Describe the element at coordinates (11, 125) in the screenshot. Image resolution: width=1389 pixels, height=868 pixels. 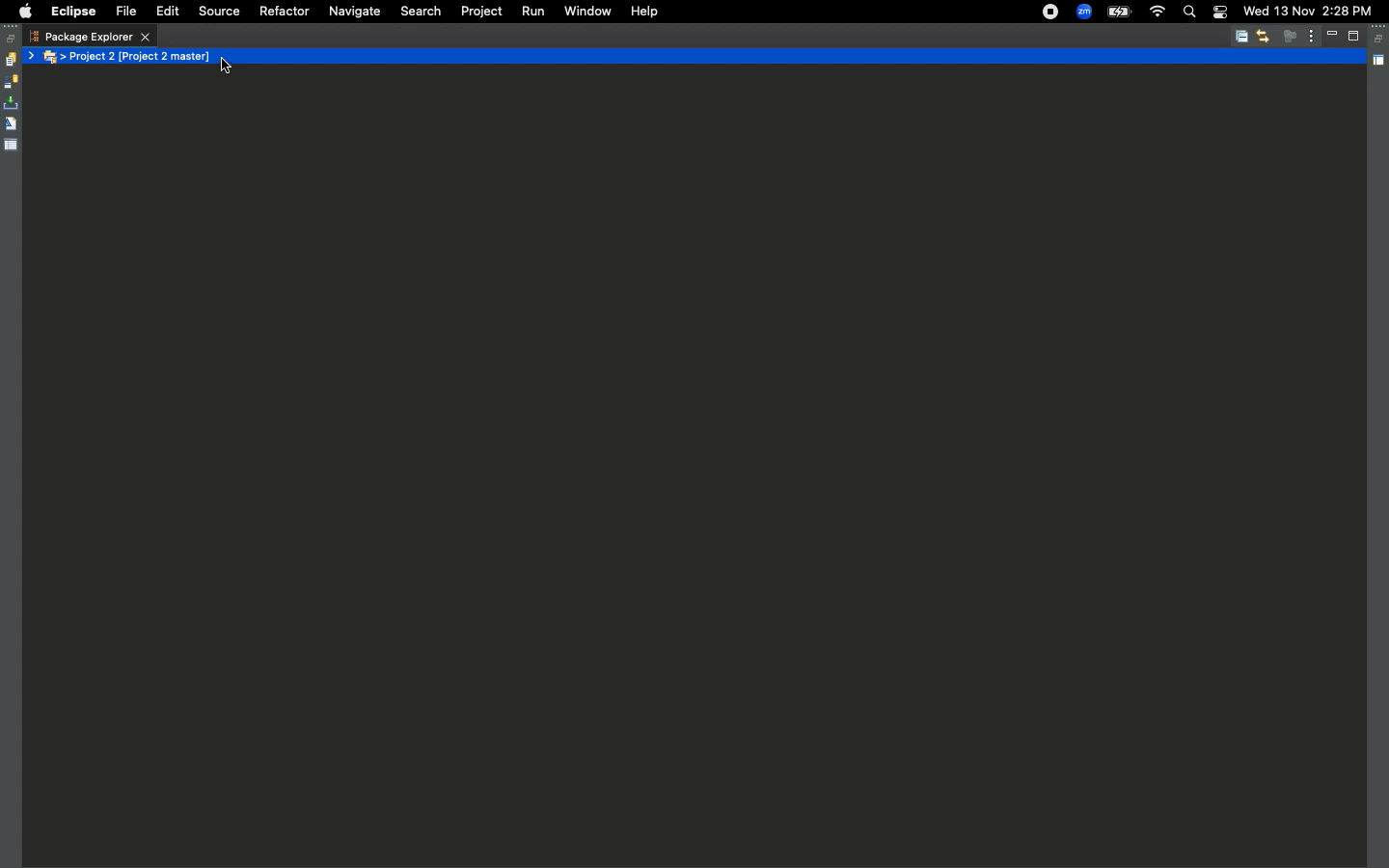
I see `Git reflog` at that location.